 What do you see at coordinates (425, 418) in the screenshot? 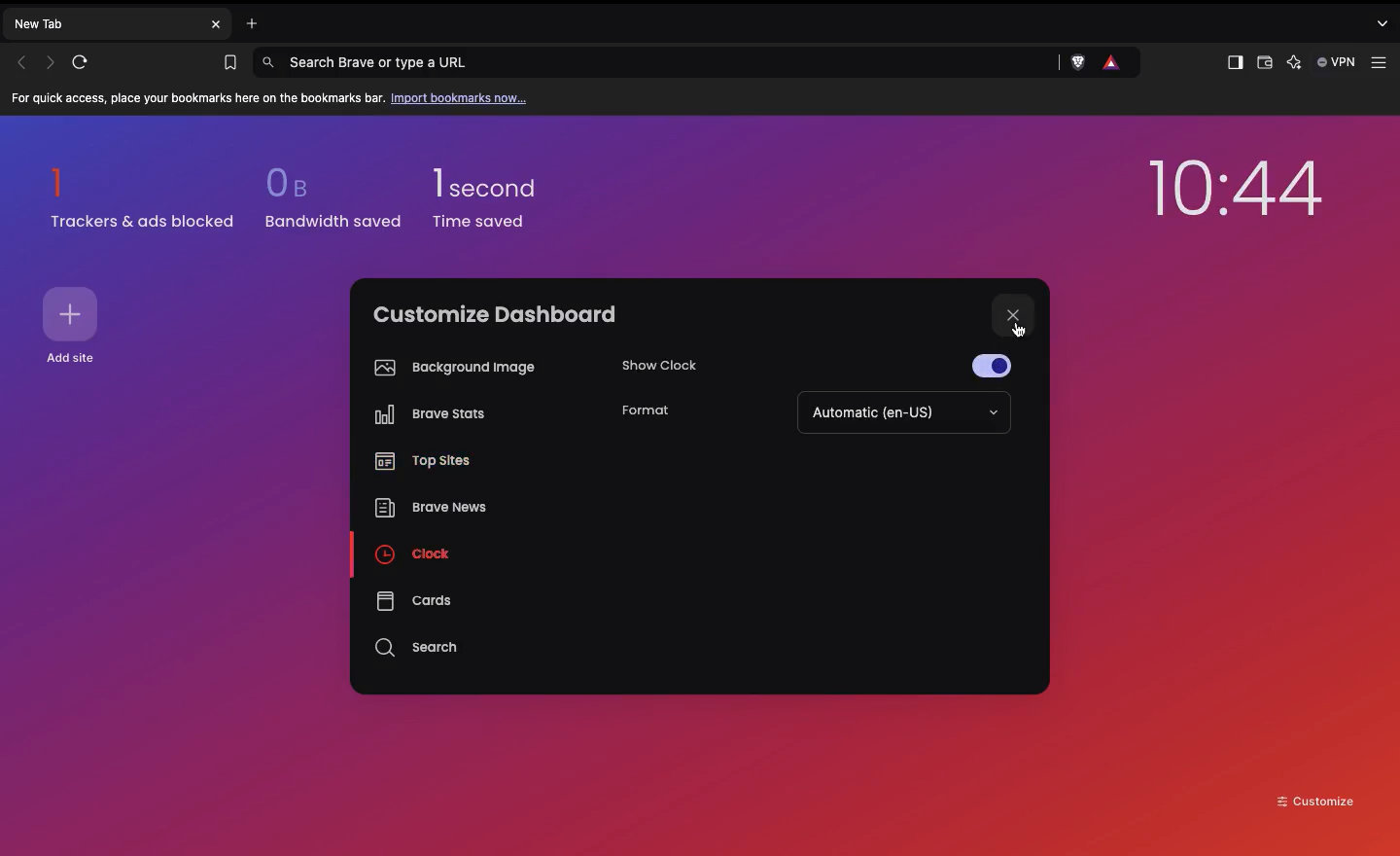
I see `On brave stats` at bounding box center [425, 418].